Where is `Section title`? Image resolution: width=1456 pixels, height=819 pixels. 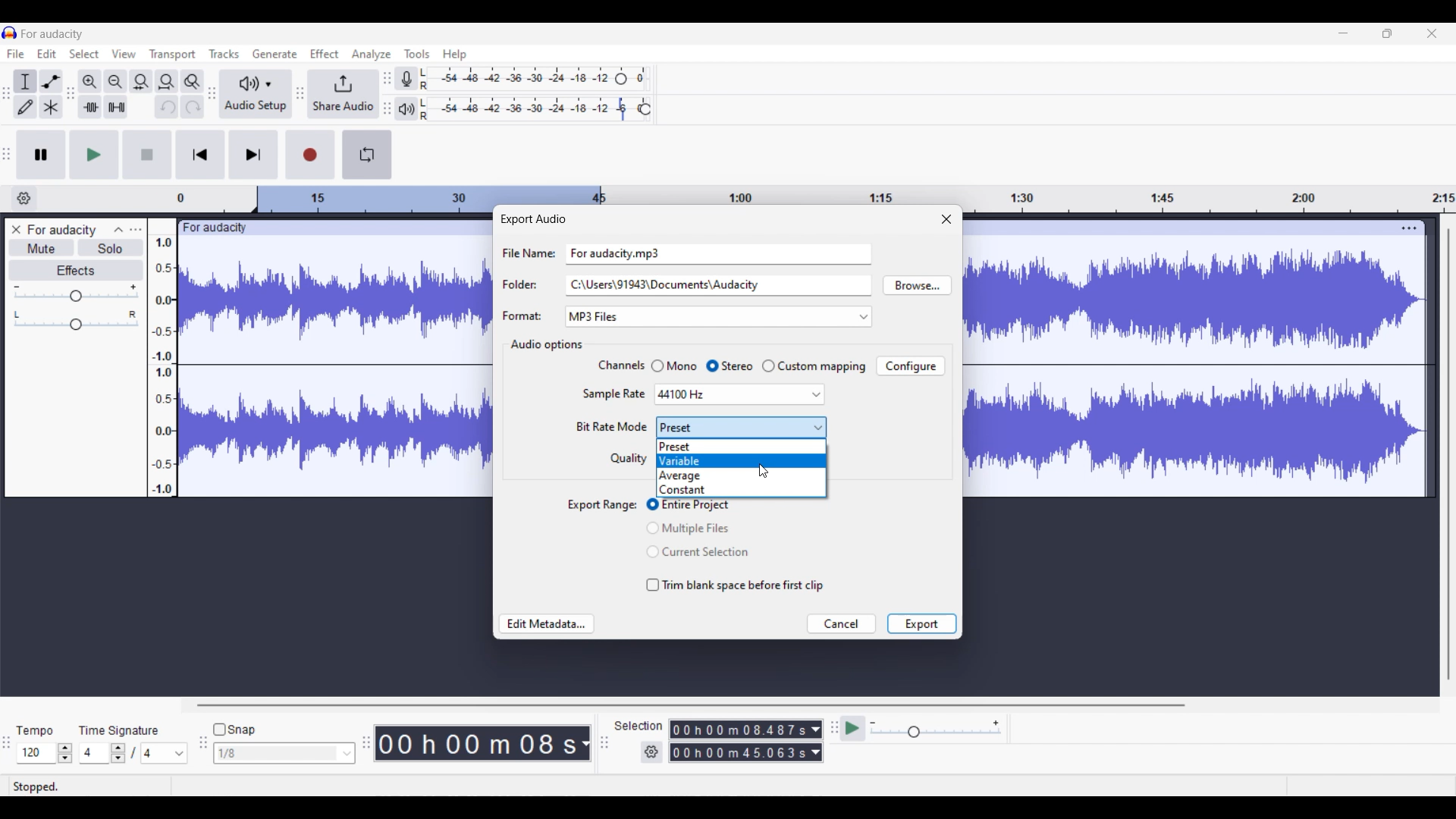 Section title is located at coordinates (545, 345).